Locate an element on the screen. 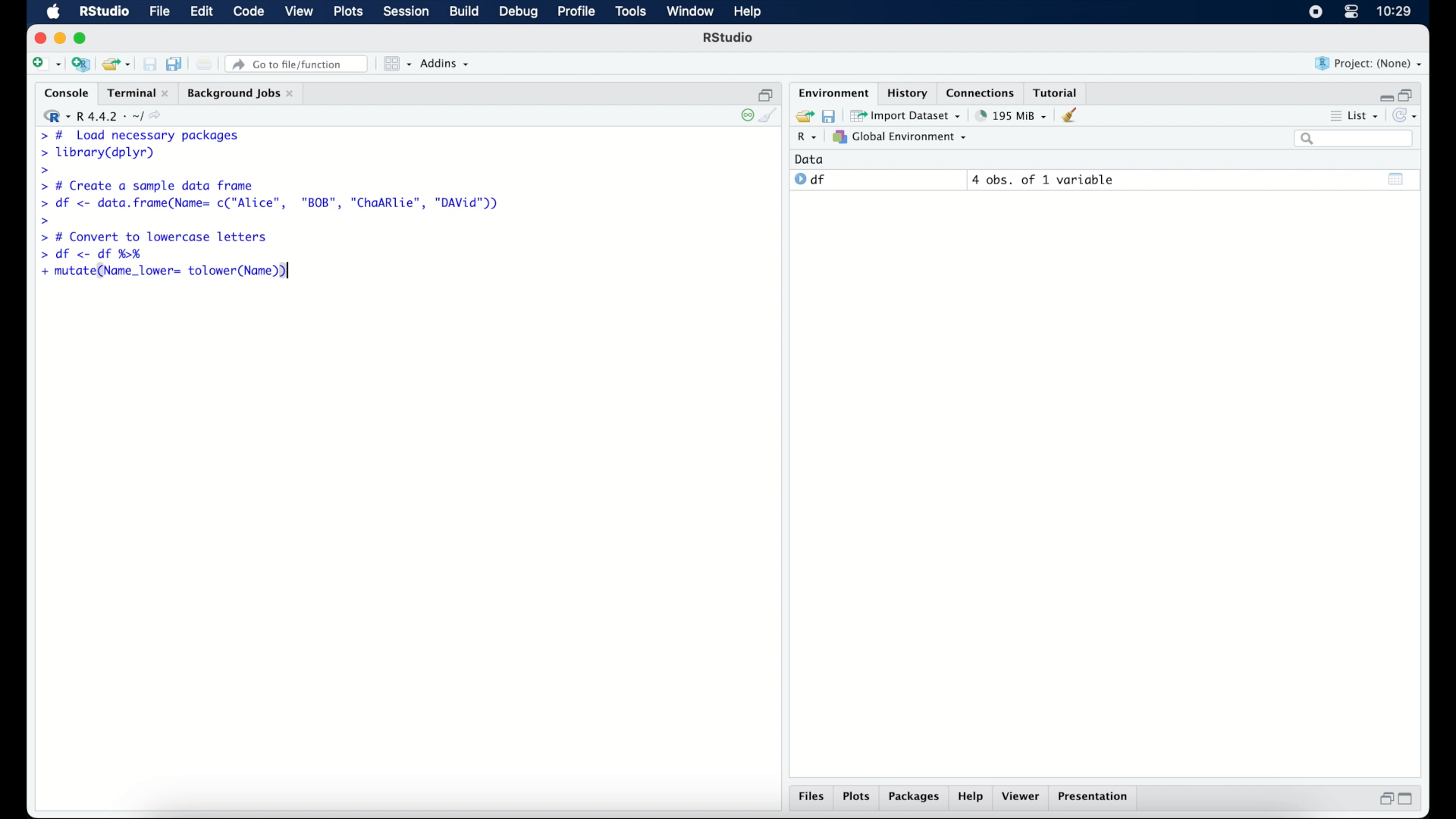 The height and width of the screenshot is (819, 1456). connections is located at coordinates (982, 92).